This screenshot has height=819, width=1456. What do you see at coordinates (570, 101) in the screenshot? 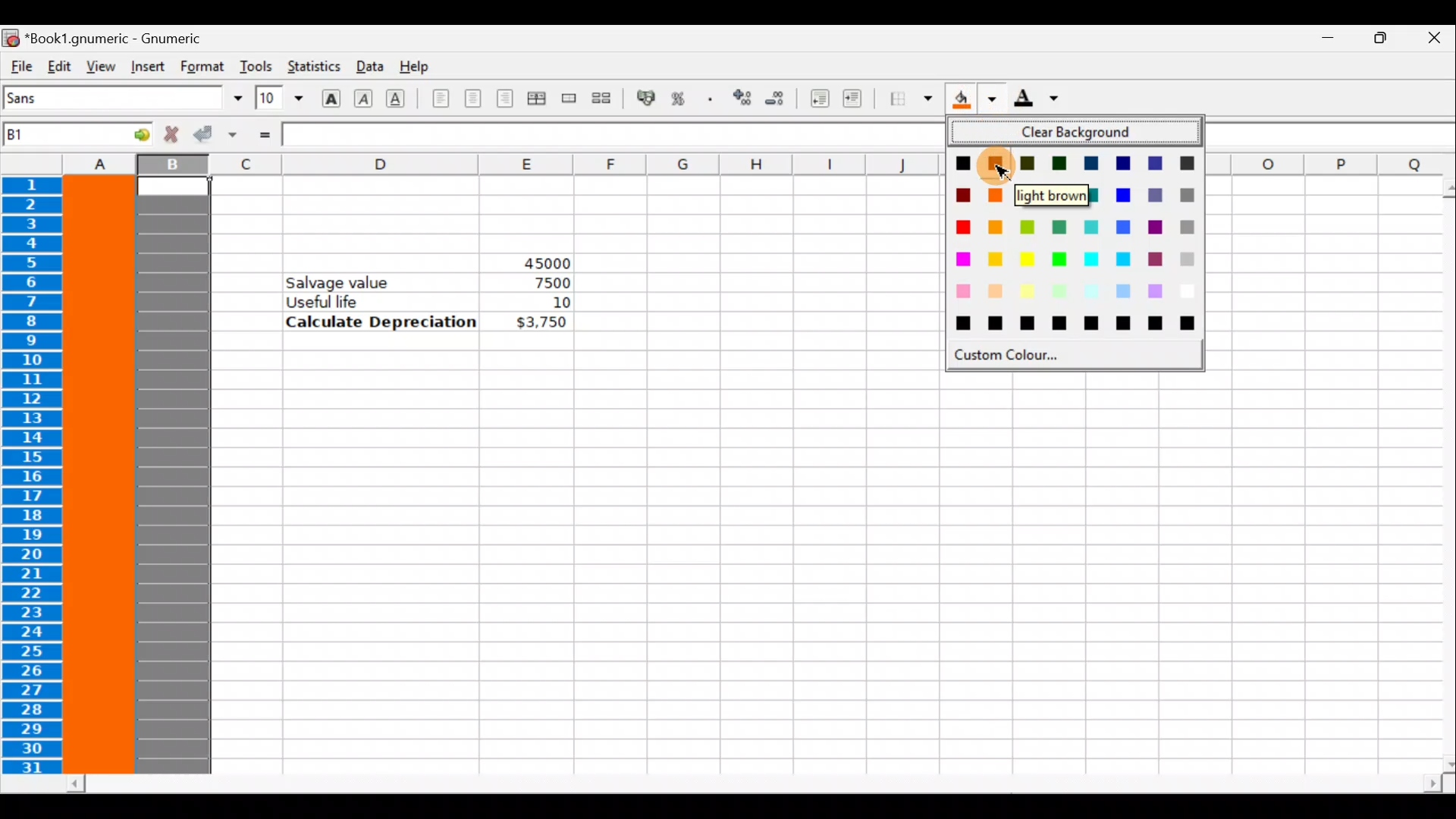
I see `Merge a range of cells` at bounding box center [570, 101].